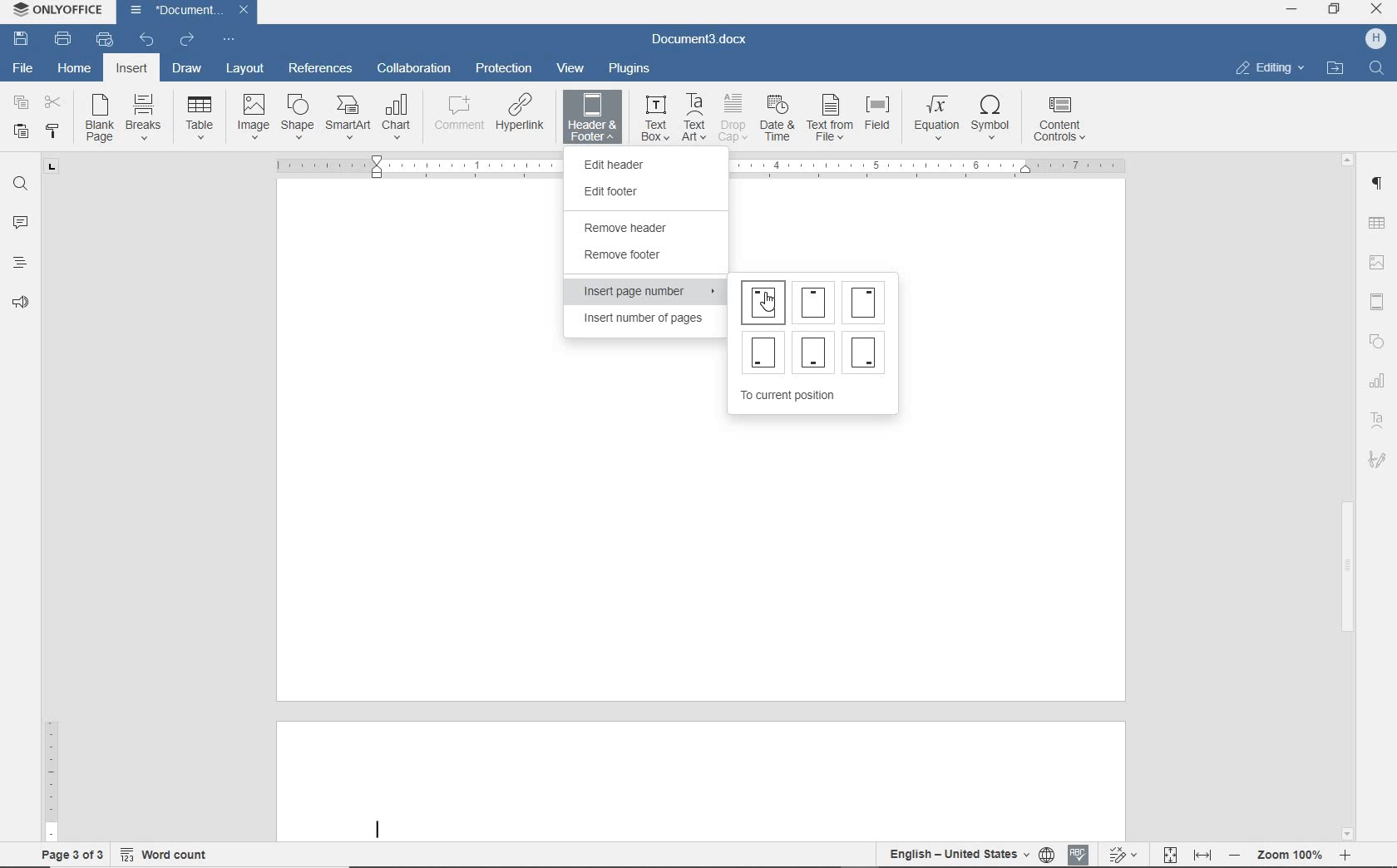  What do you see at coordinates (21, 103) in the screenshot?
I see `COPY` at bounding box center [21, 103].